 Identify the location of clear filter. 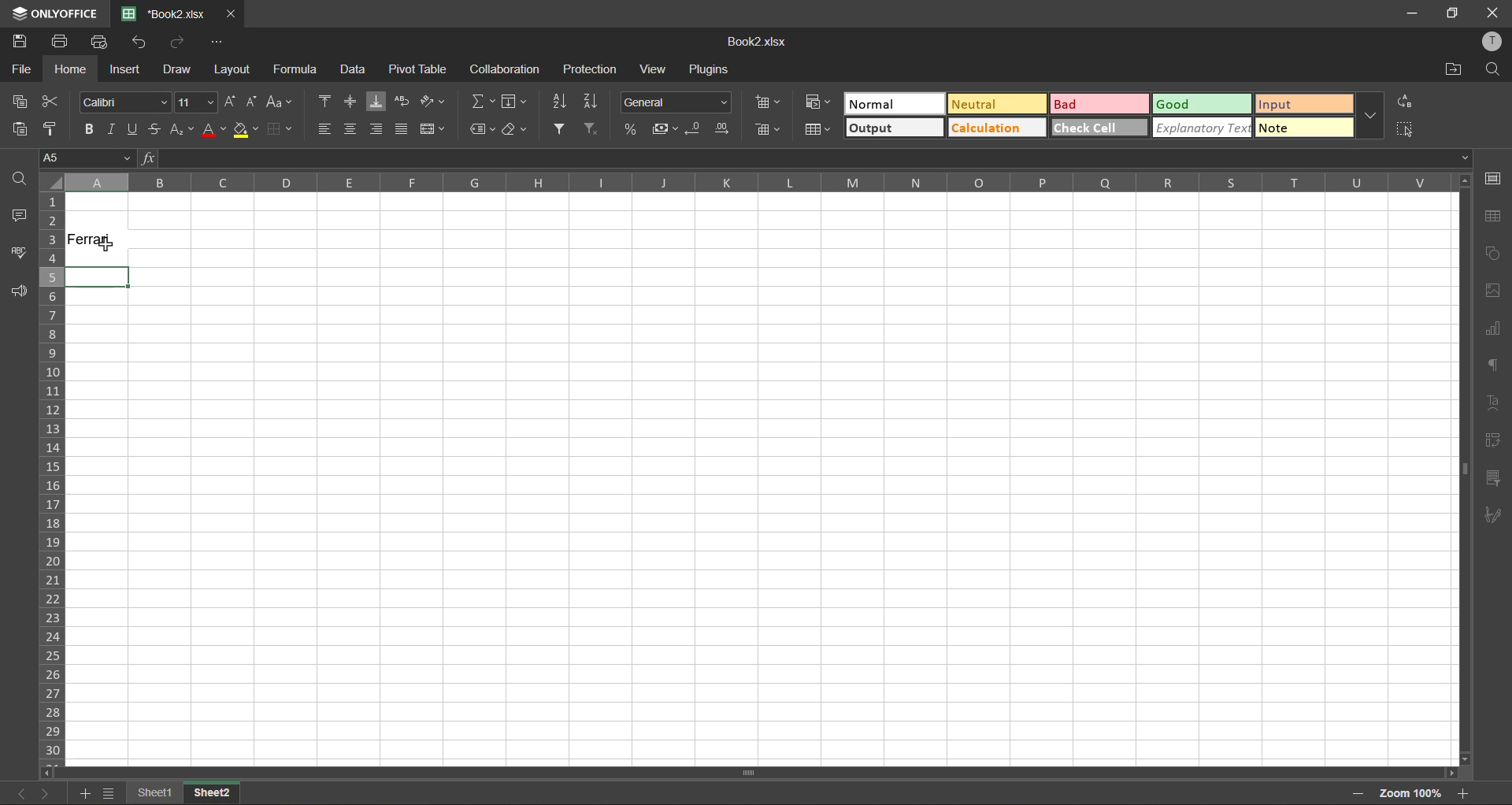
(595, 129).